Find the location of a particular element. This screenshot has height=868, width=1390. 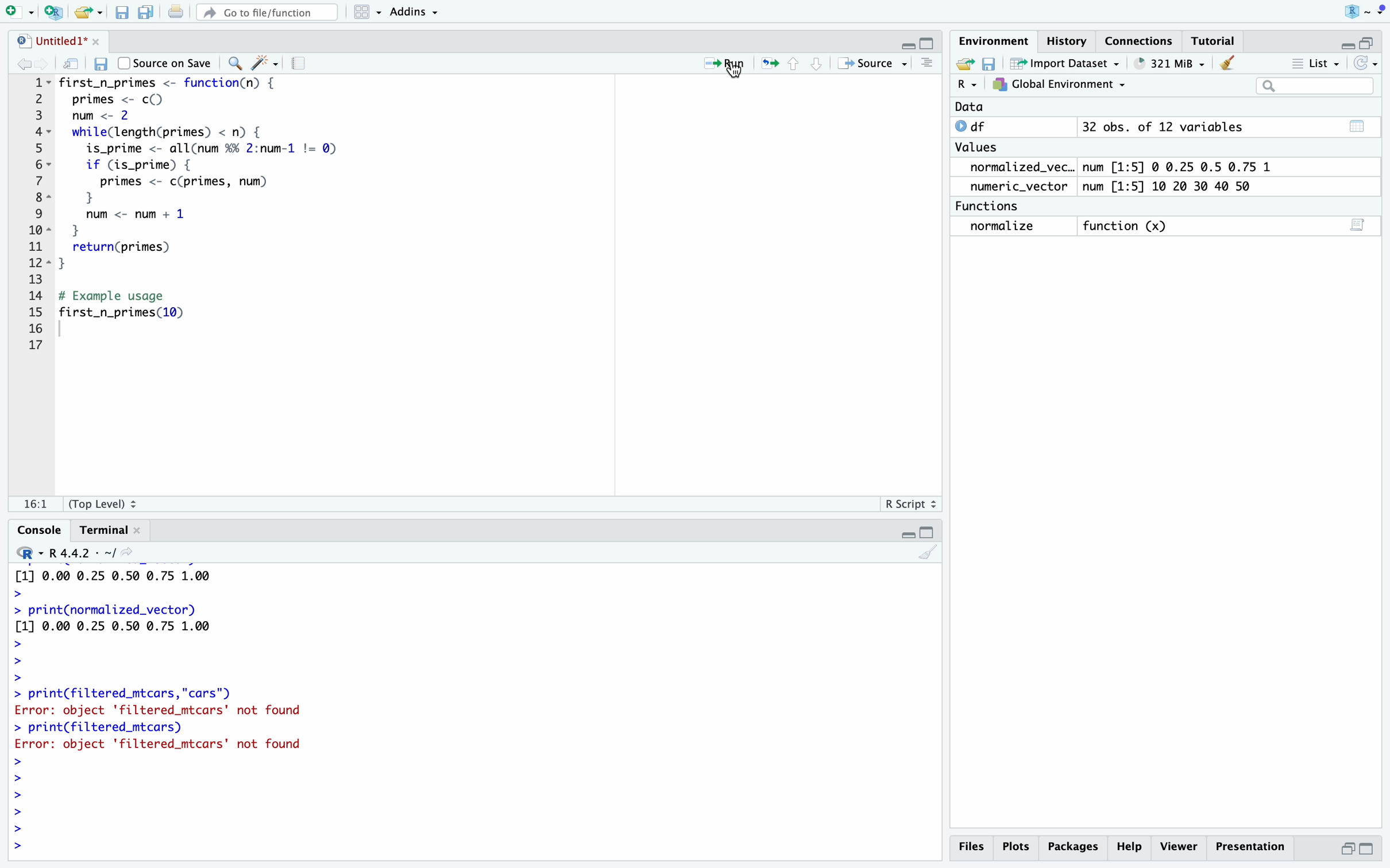

rerun is located at coordinates (771, 64).